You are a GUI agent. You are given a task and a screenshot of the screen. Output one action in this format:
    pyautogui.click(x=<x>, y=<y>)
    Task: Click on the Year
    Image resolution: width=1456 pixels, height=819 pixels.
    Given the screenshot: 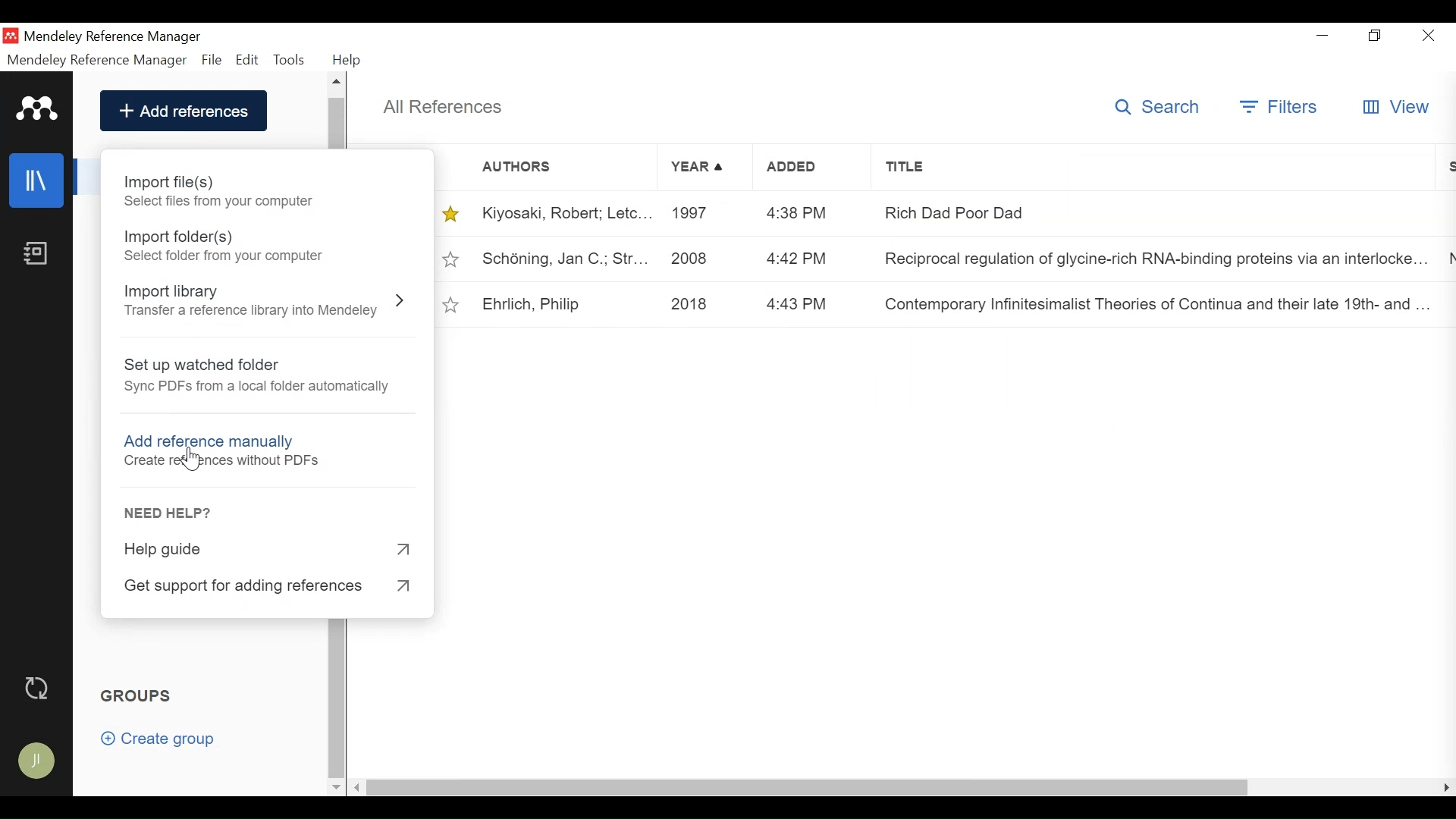 What is the action you would take?
    pyautogui.click(x=704, y=168)
    